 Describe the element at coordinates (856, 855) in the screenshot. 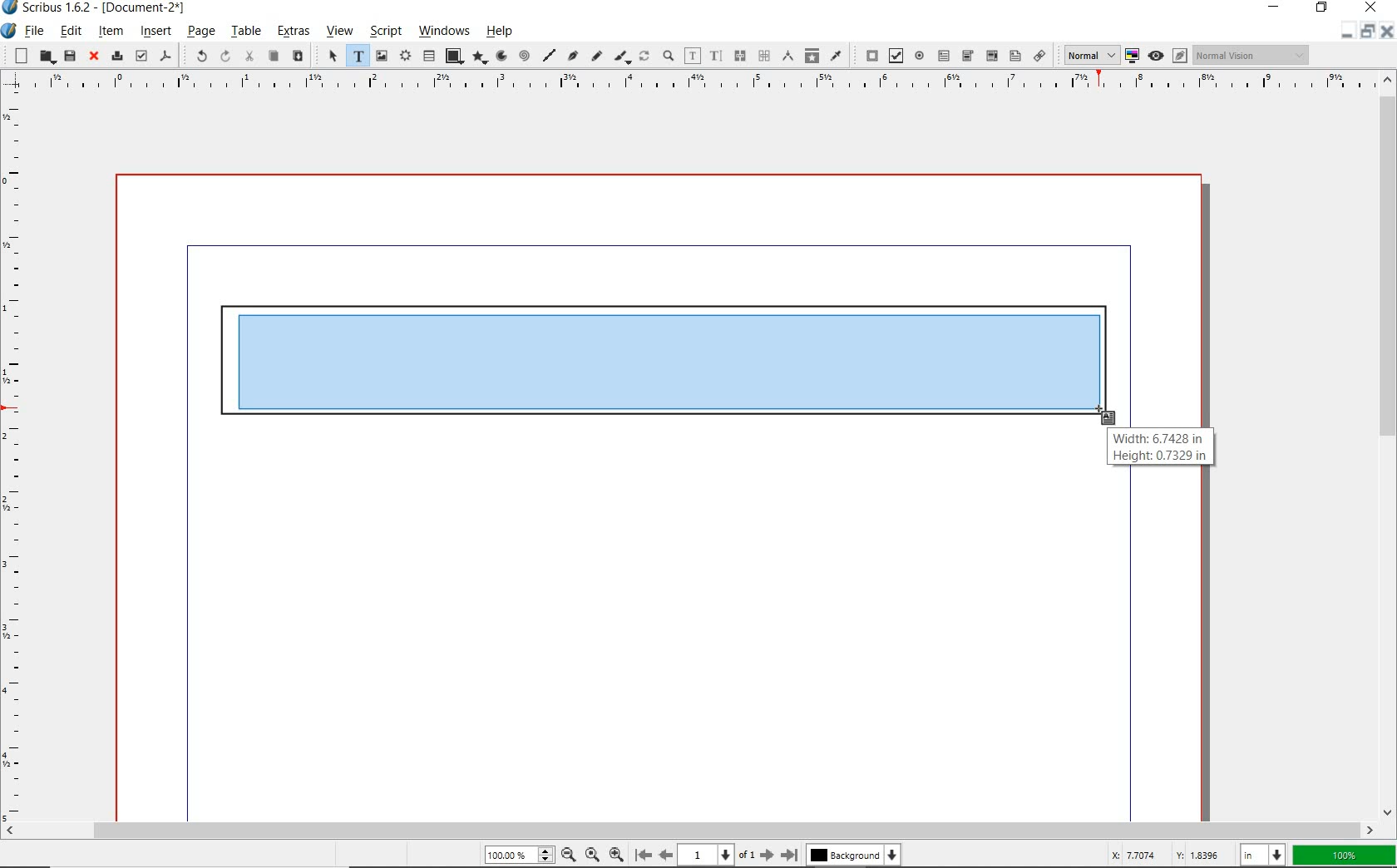

I see `background` at that location.